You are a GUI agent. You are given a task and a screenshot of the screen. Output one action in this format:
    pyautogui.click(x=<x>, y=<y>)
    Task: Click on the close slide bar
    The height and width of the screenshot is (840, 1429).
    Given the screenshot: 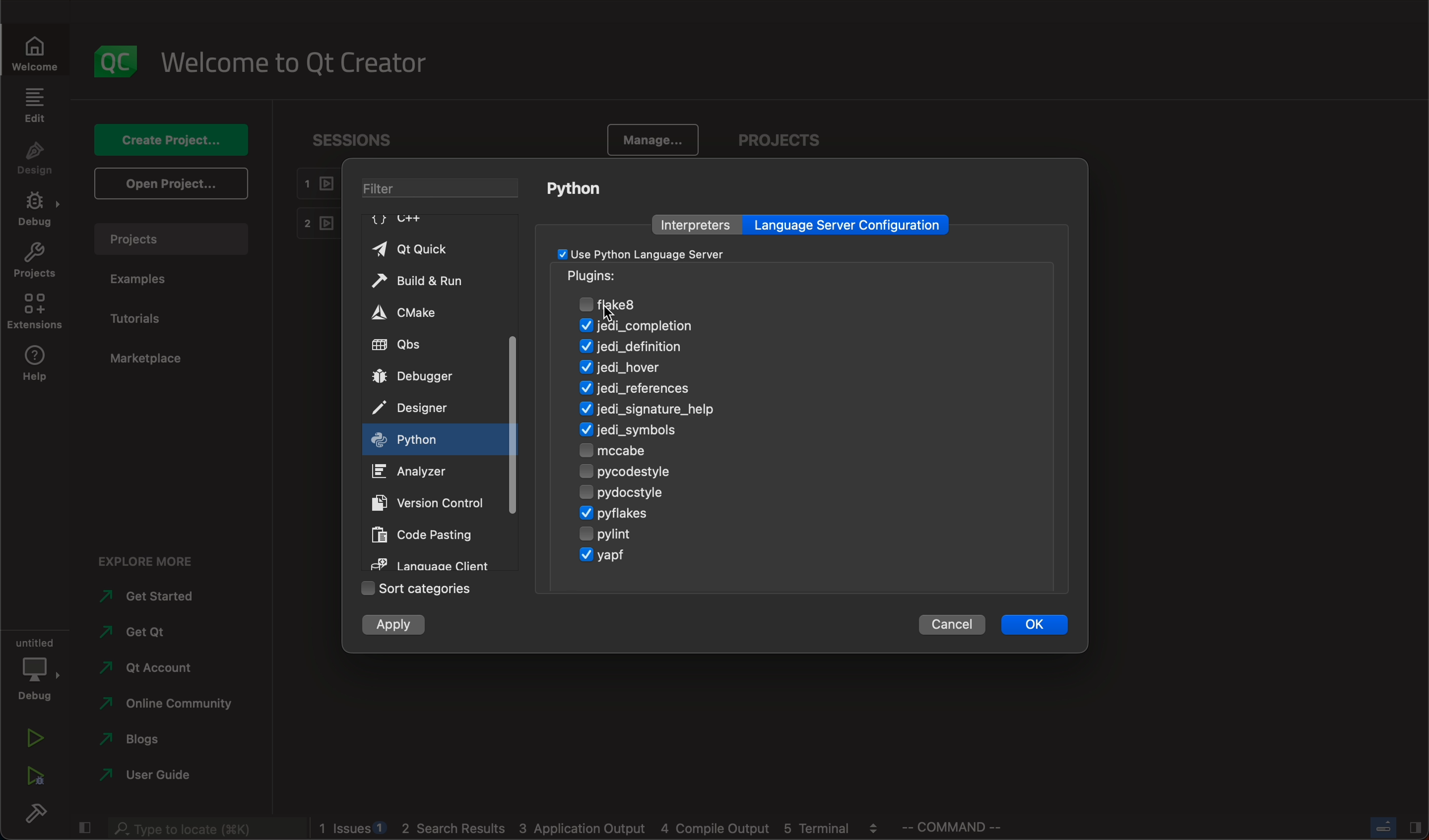 What is the action you would take?
    pyautogui.click(x=84, y=827)
    